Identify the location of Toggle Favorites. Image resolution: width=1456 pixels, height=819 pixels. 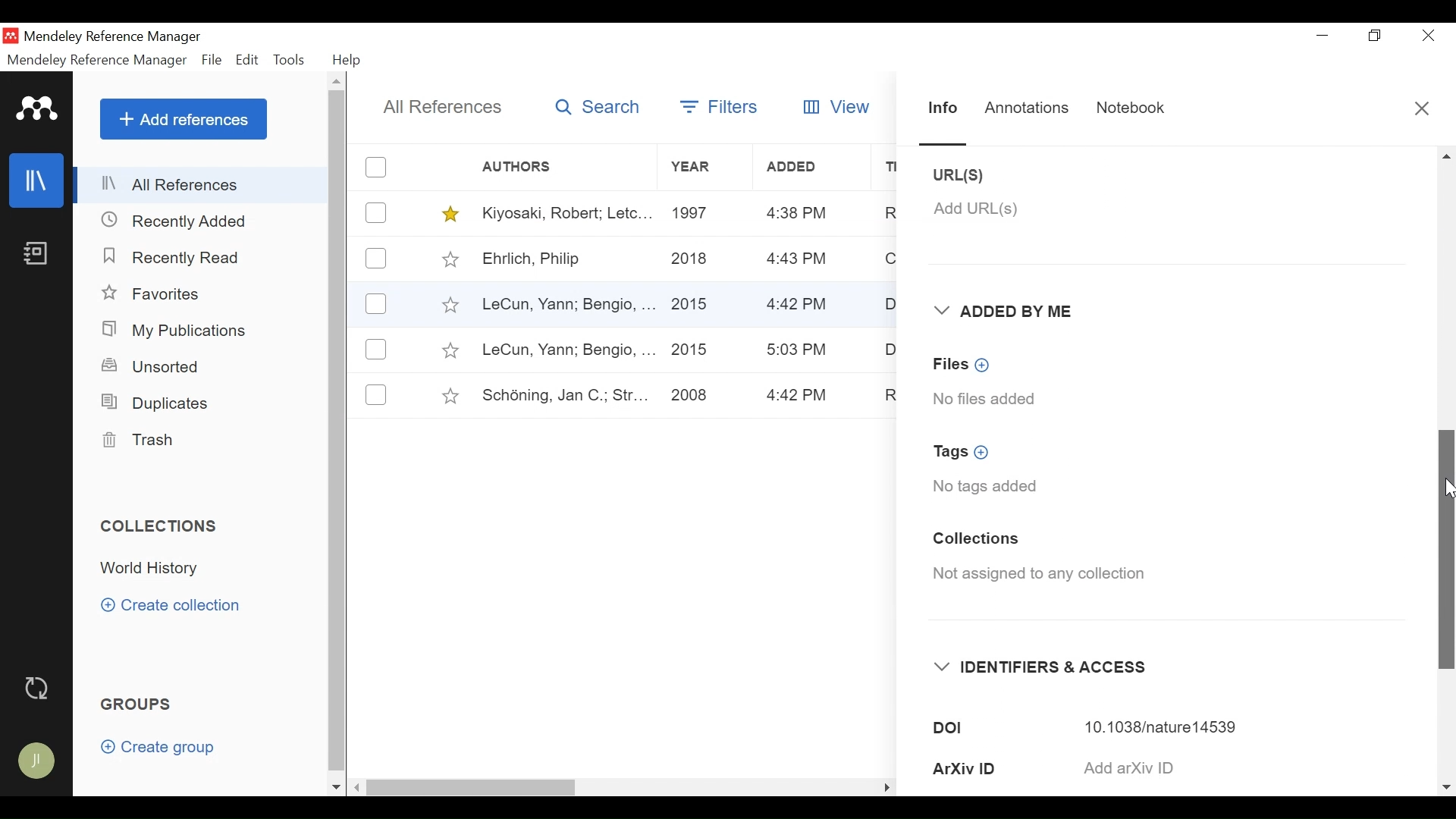
(449, 350).